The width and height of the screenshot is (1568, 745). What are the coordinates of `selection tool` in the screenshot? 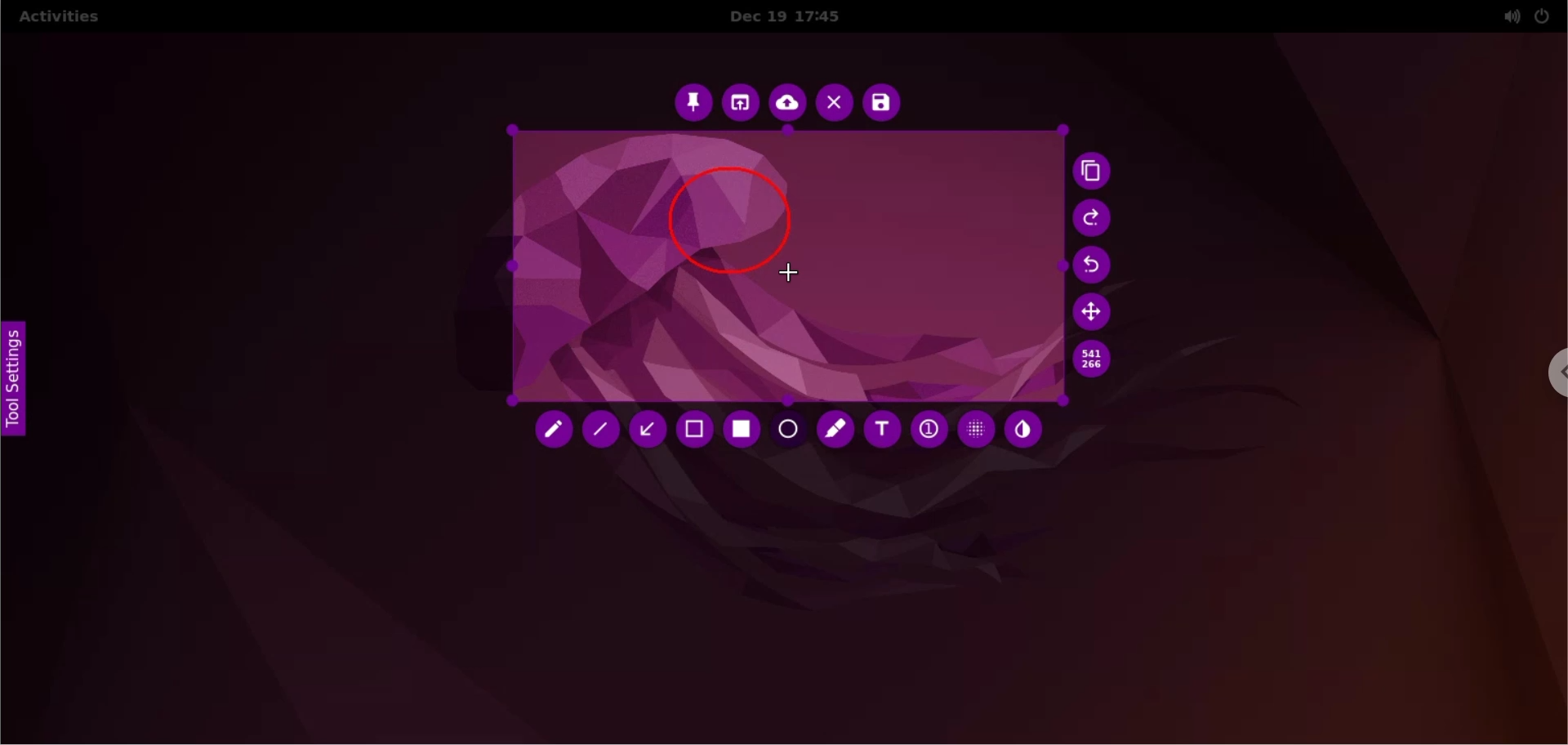 It's located at (697, 431).